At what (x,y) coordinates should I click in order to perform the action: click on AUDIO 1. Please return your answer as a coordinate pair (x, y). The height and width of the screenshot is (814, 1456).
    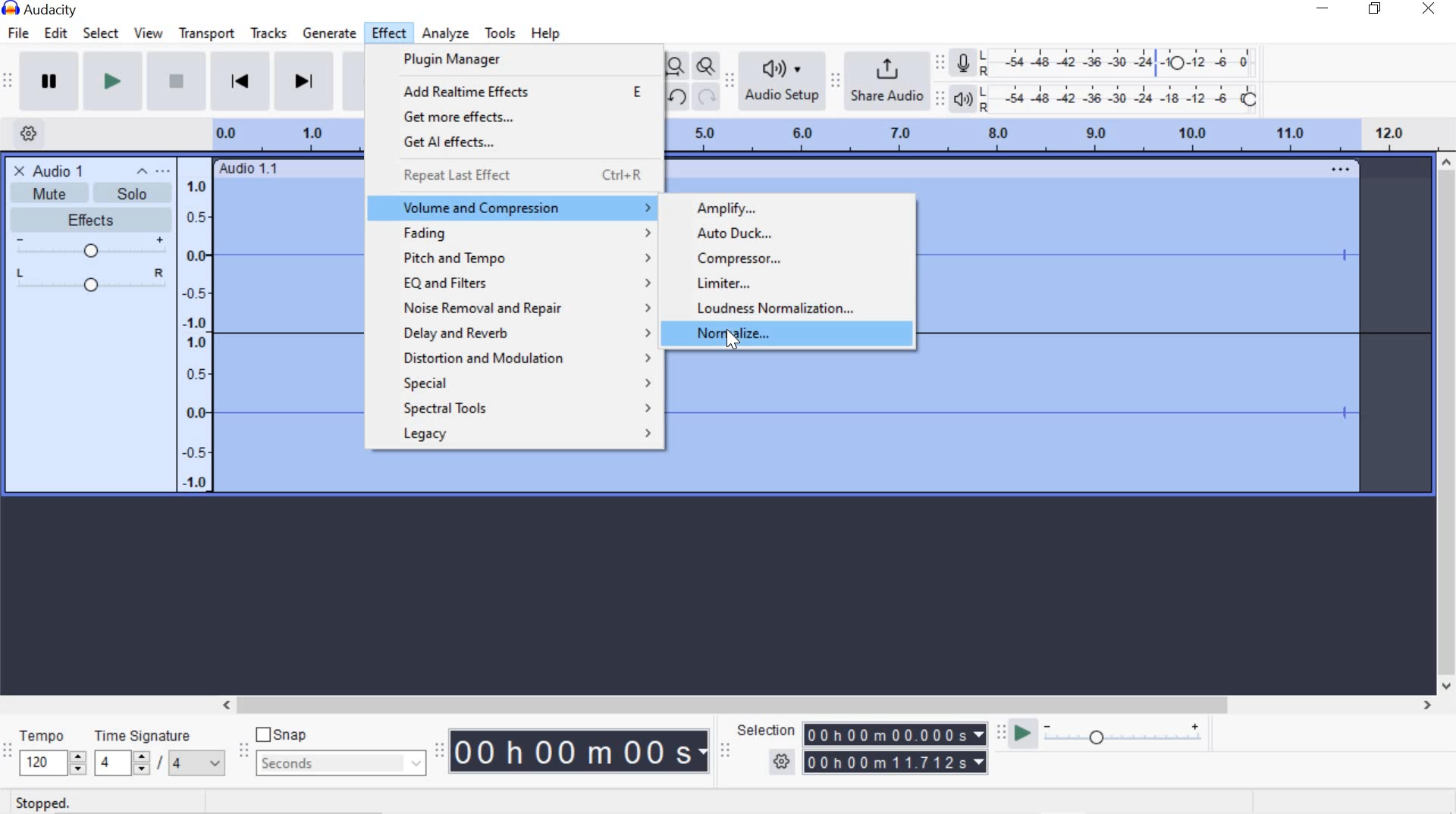
    Looking at the image, I should click on (64, 170).